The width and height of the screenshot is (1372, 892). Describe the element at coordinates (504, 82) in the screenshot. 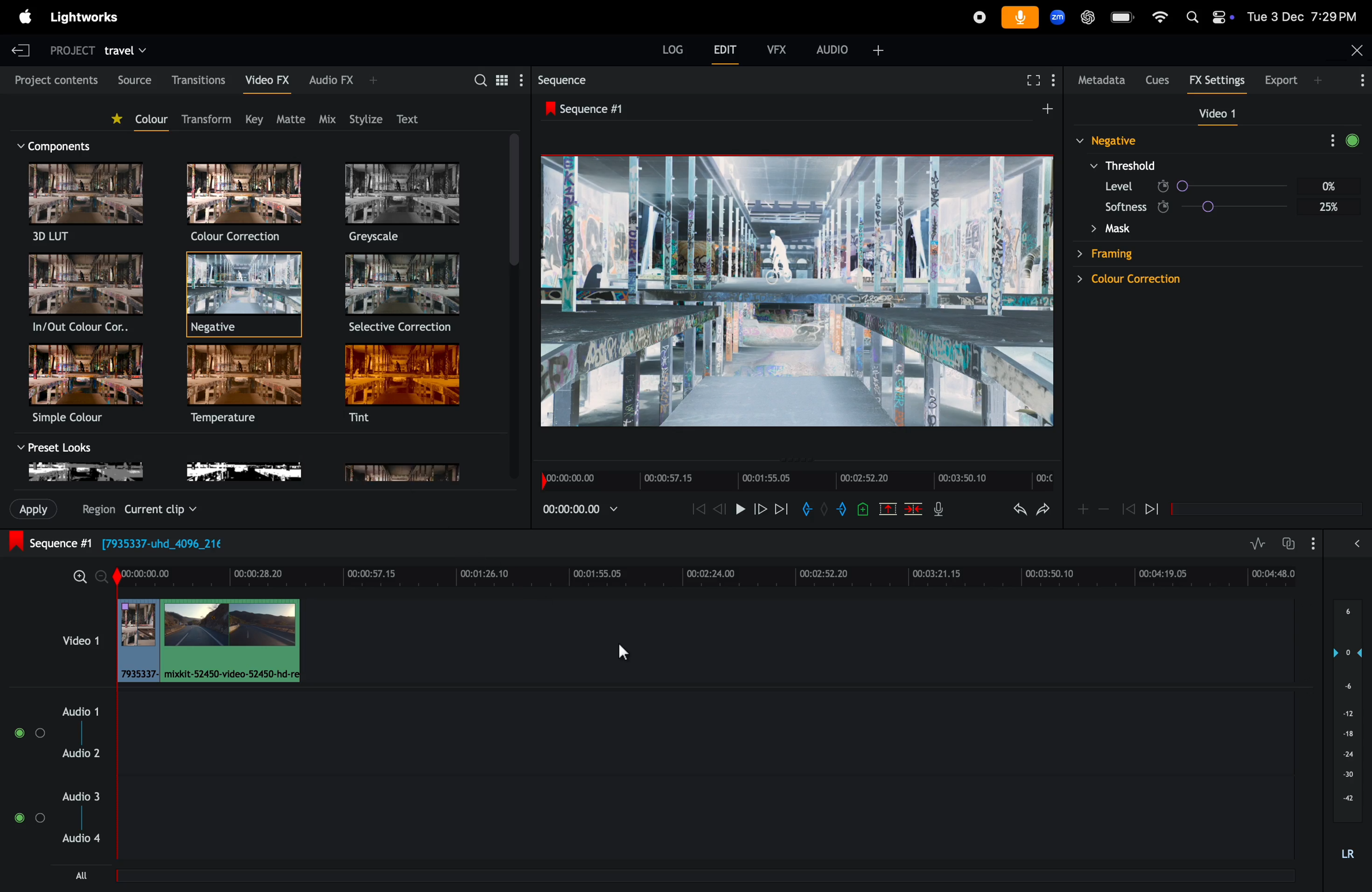

I see `togle between the list view` at that location.